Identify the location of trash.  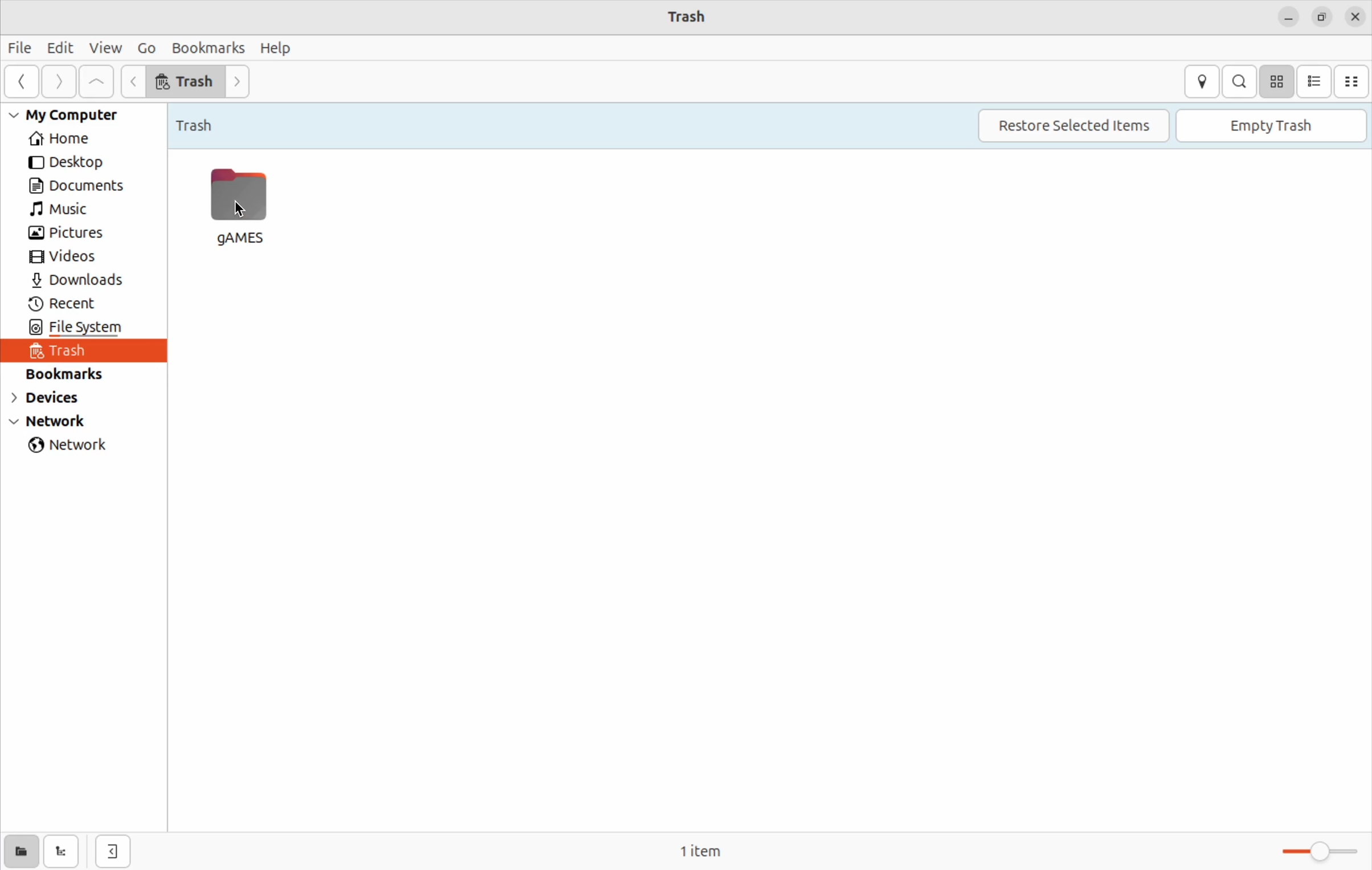
(206, 122).